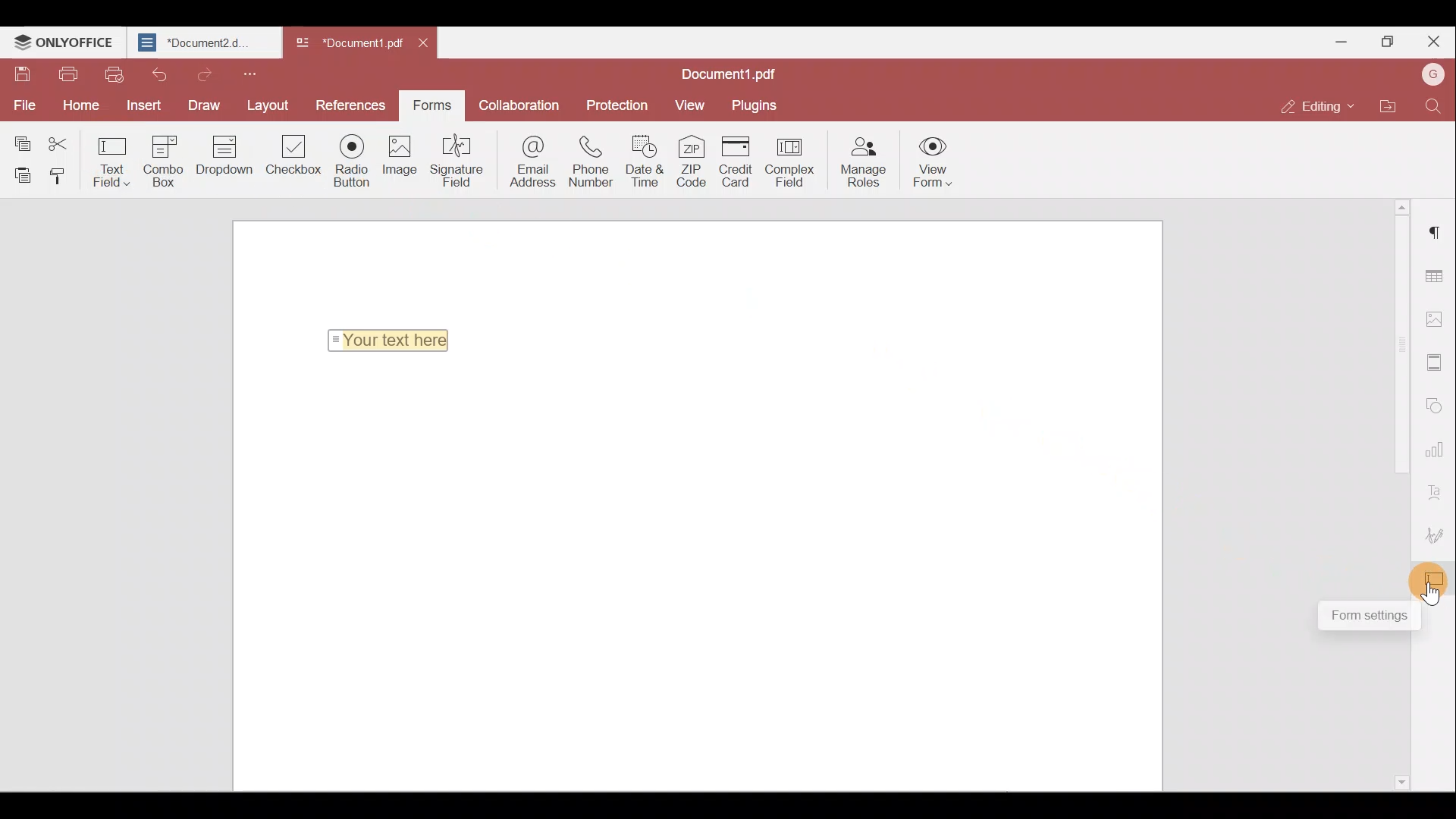 This screenshot has height=819, width=1456. What do you see at coordinates (204, 74) in the screenshot?
I see `Redo` at bounding box center [204, 74].